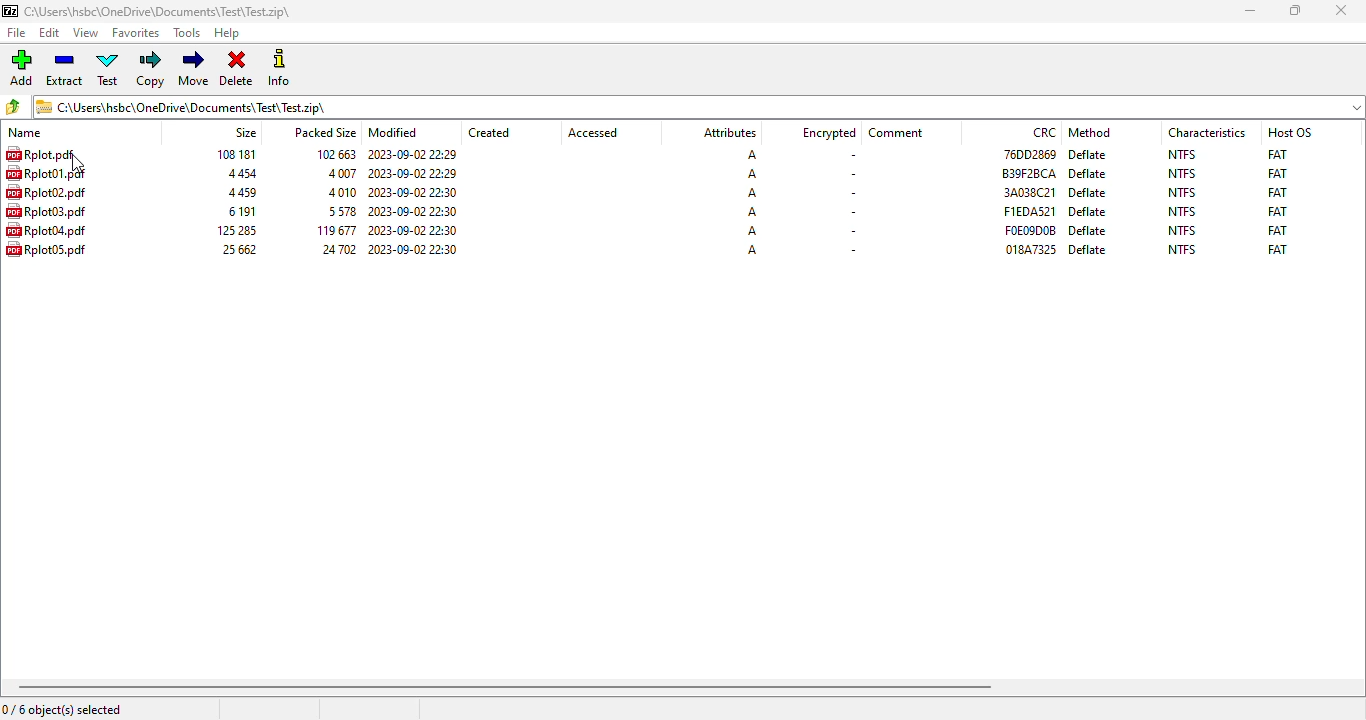  I want to click on characteristics, so click(1207, 132).